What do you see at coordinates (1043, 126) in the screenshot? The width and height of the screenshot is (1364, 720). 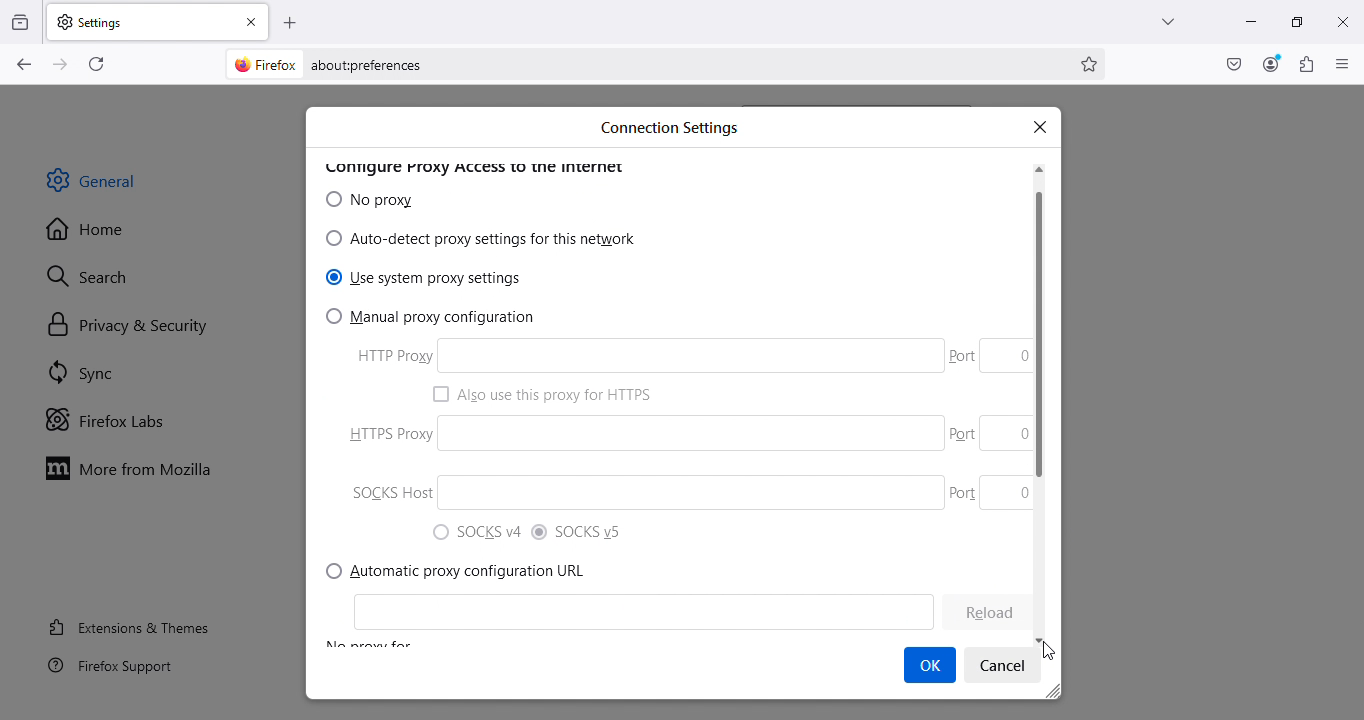 I see `x |close` at bounding box center [1043, 126].